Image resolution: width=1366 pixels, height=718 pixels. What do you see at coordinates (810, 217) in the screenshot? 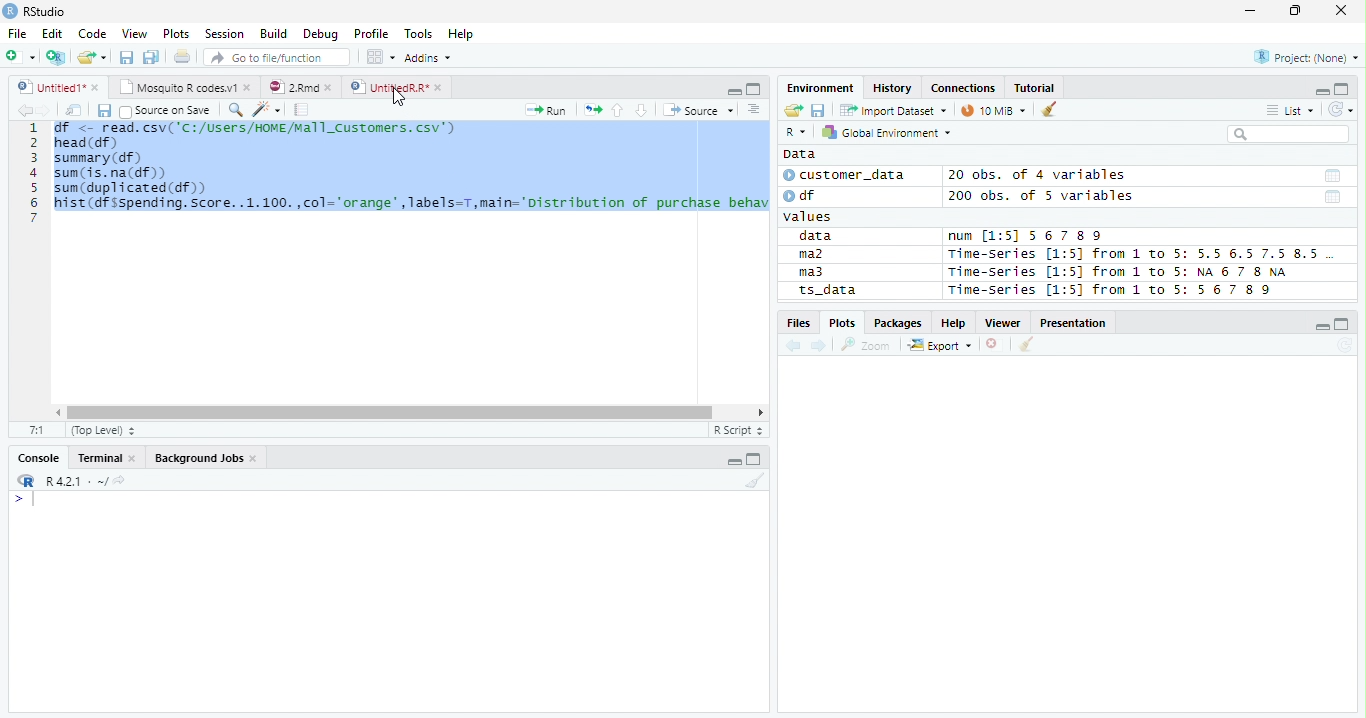
I see `values` at bounding box center [810, 217].